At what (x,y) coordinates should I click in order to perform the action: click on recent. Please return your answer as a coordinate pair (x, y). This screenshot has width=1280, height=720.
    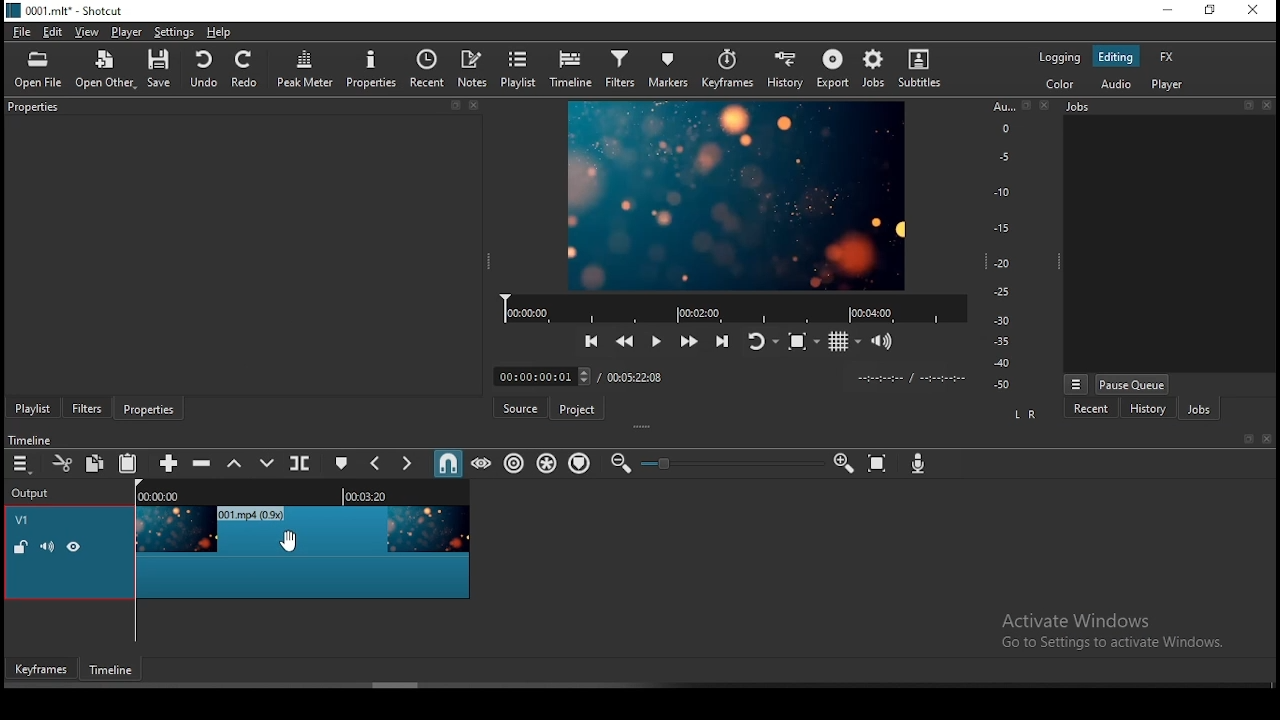
    Looking at the image, I should click on (1094, 408).